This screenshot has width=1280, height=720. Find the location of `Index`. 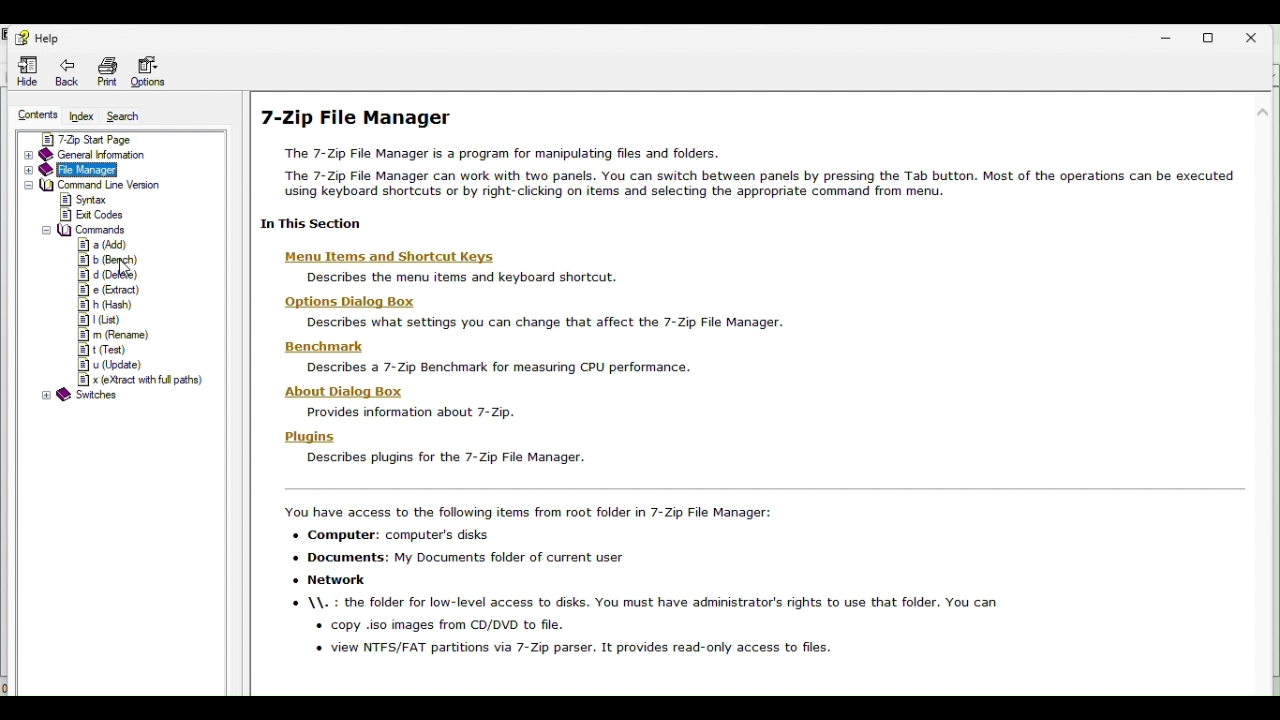

Index is located at coordinates (81, 118).